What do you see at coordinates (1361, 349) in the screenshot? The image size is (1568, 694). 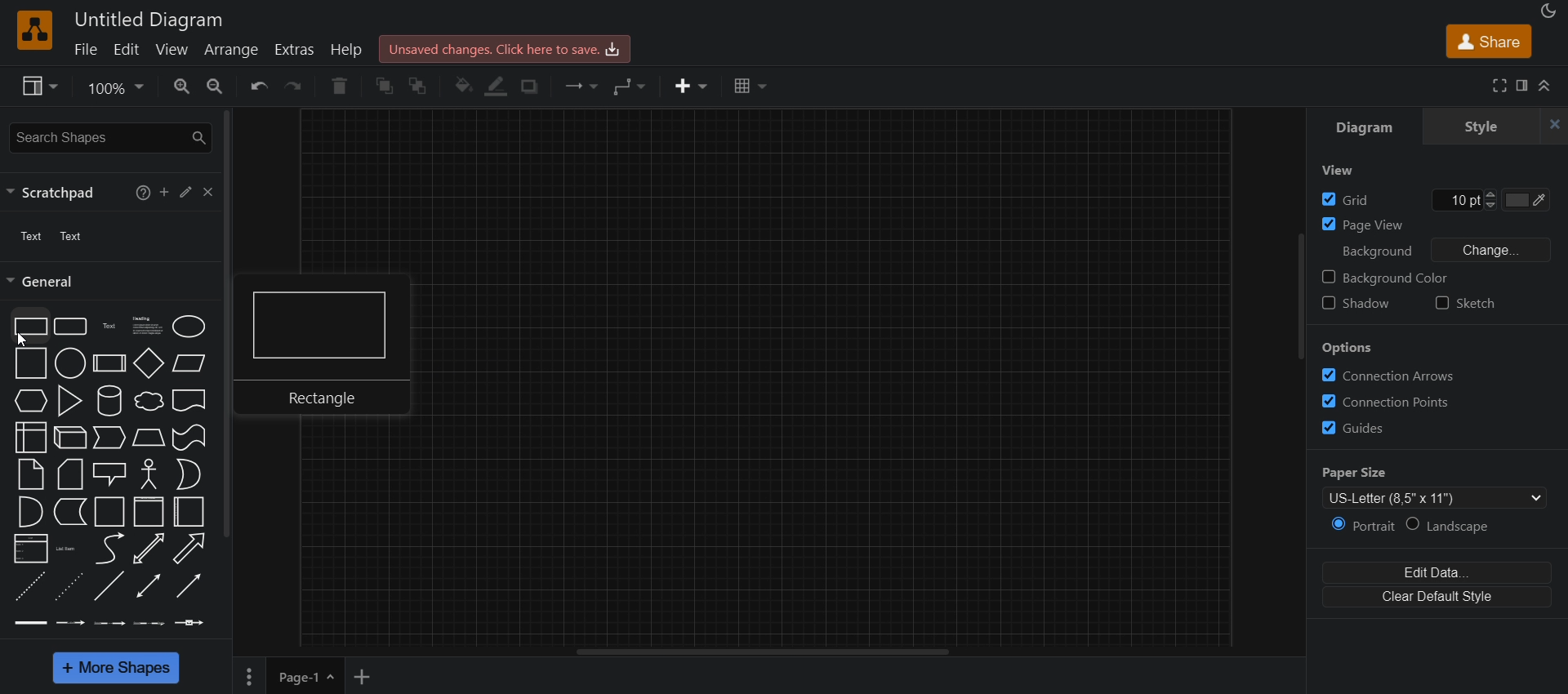 I see `` at bounding box center [1361, 349].